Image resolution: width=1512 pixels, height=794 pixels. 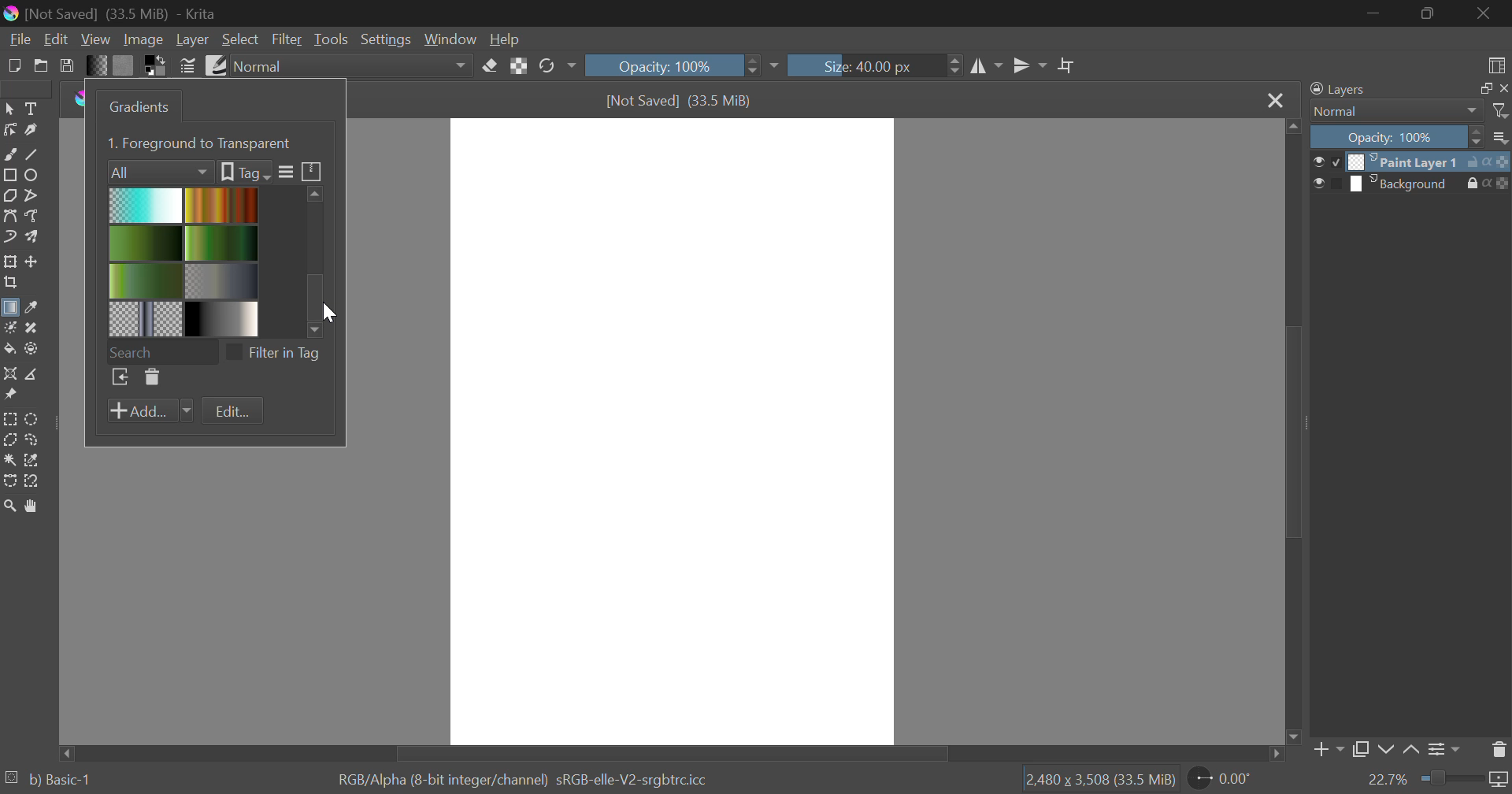 What do you see at coordinates (557, 67) in the screenshot?
I see `Rotate` at bounding box center [557, 67].